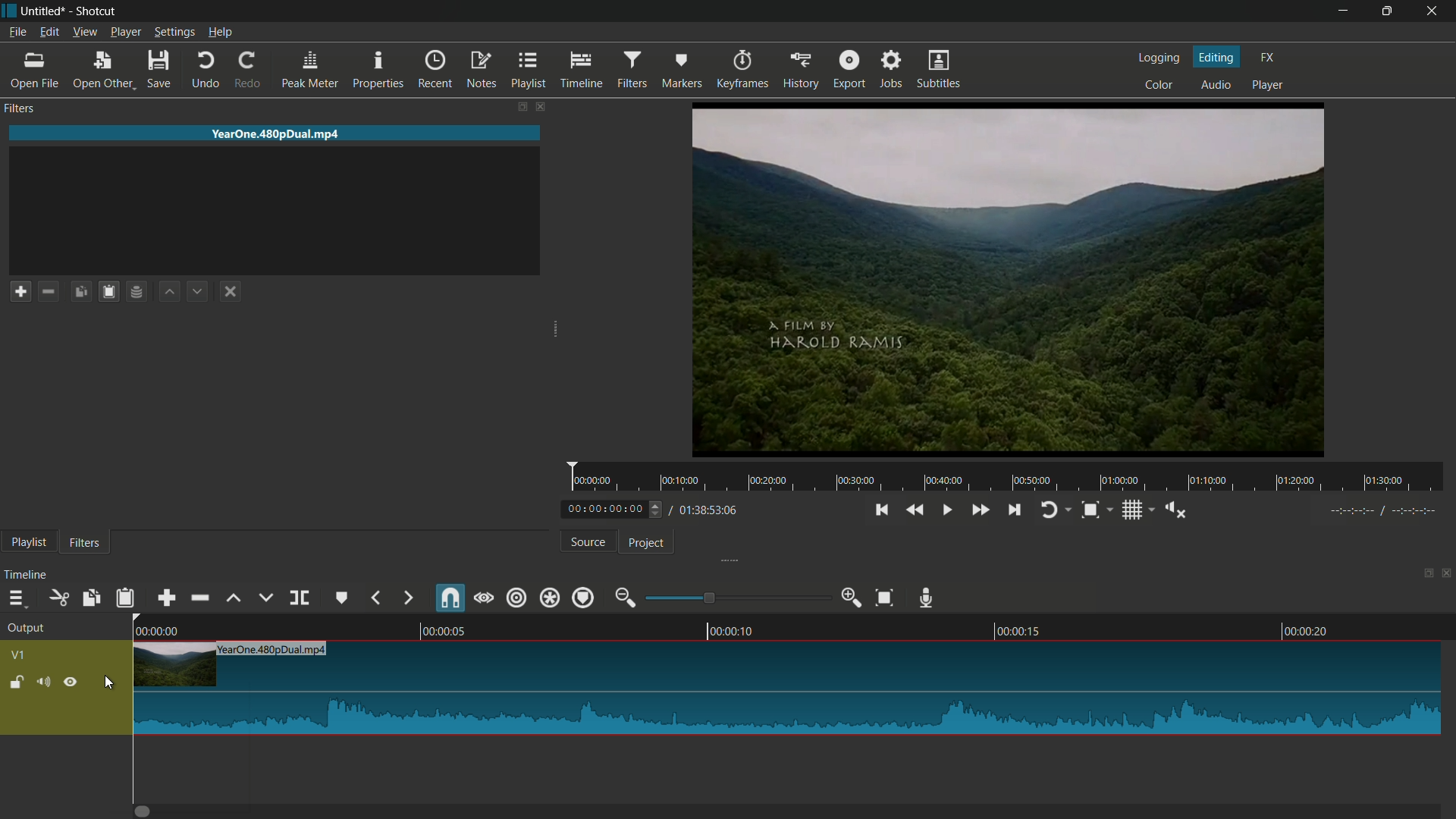 Image resolution: width=1456 pixels, height=819 pixels. Describe the element at coordinates (436, 71) in the screenshot. I see `recent` at that location.